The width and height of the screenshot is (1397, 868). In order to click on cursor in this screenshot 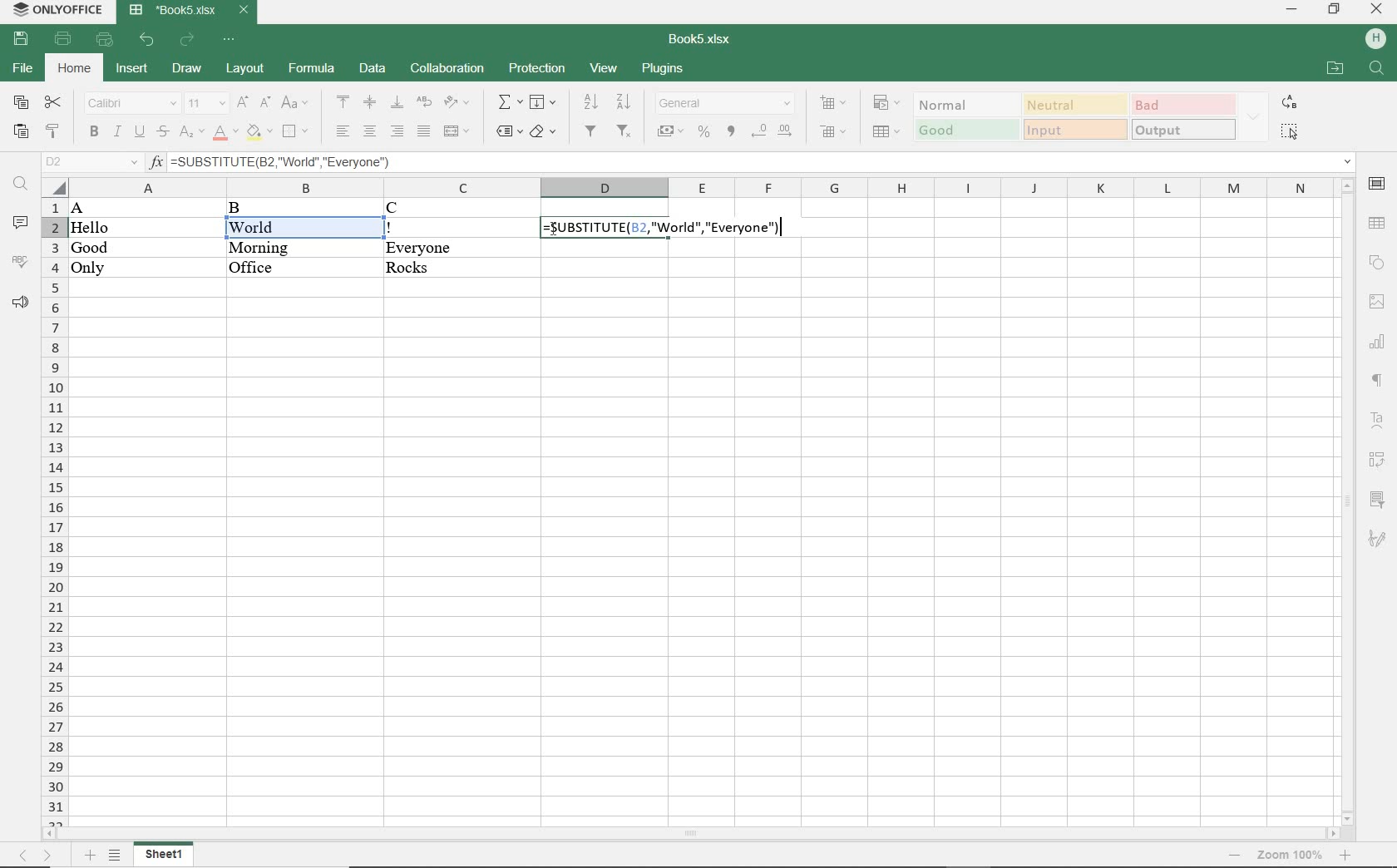, I will do `click(781, 227)`.